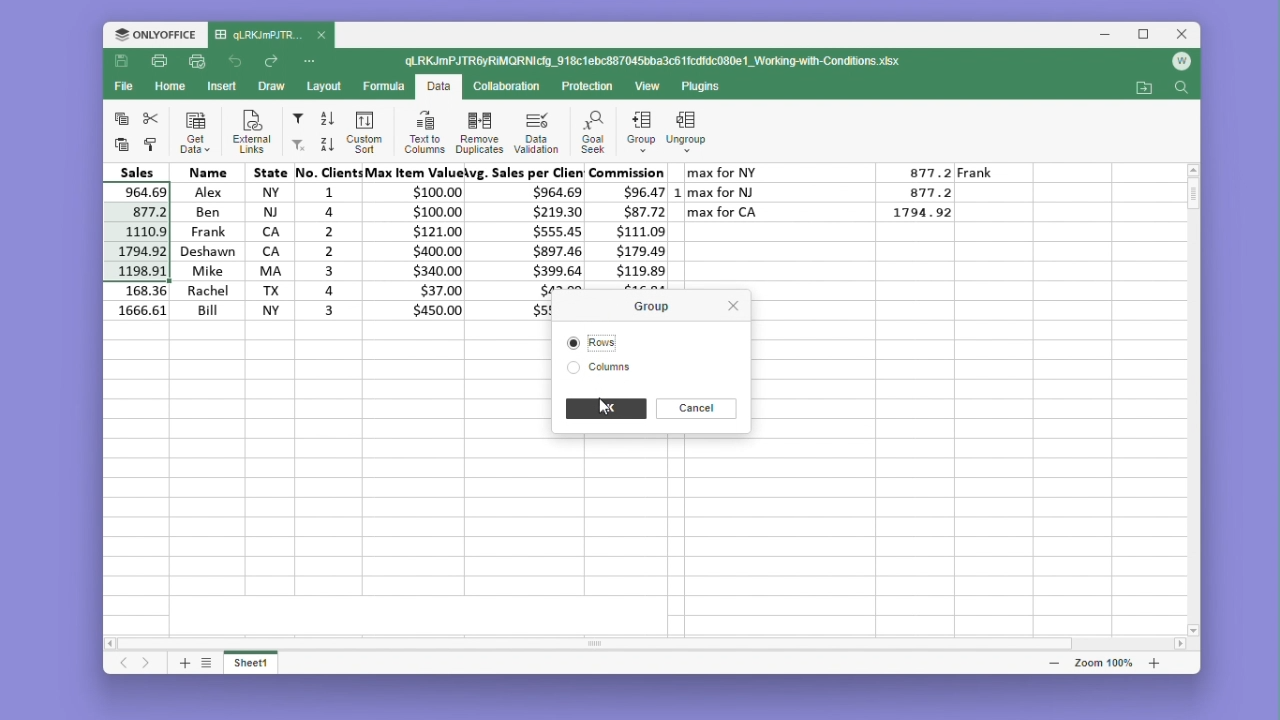 The height and width of the screenshot is (720, 1280). I want to click on sort descending, so click(326, 144).